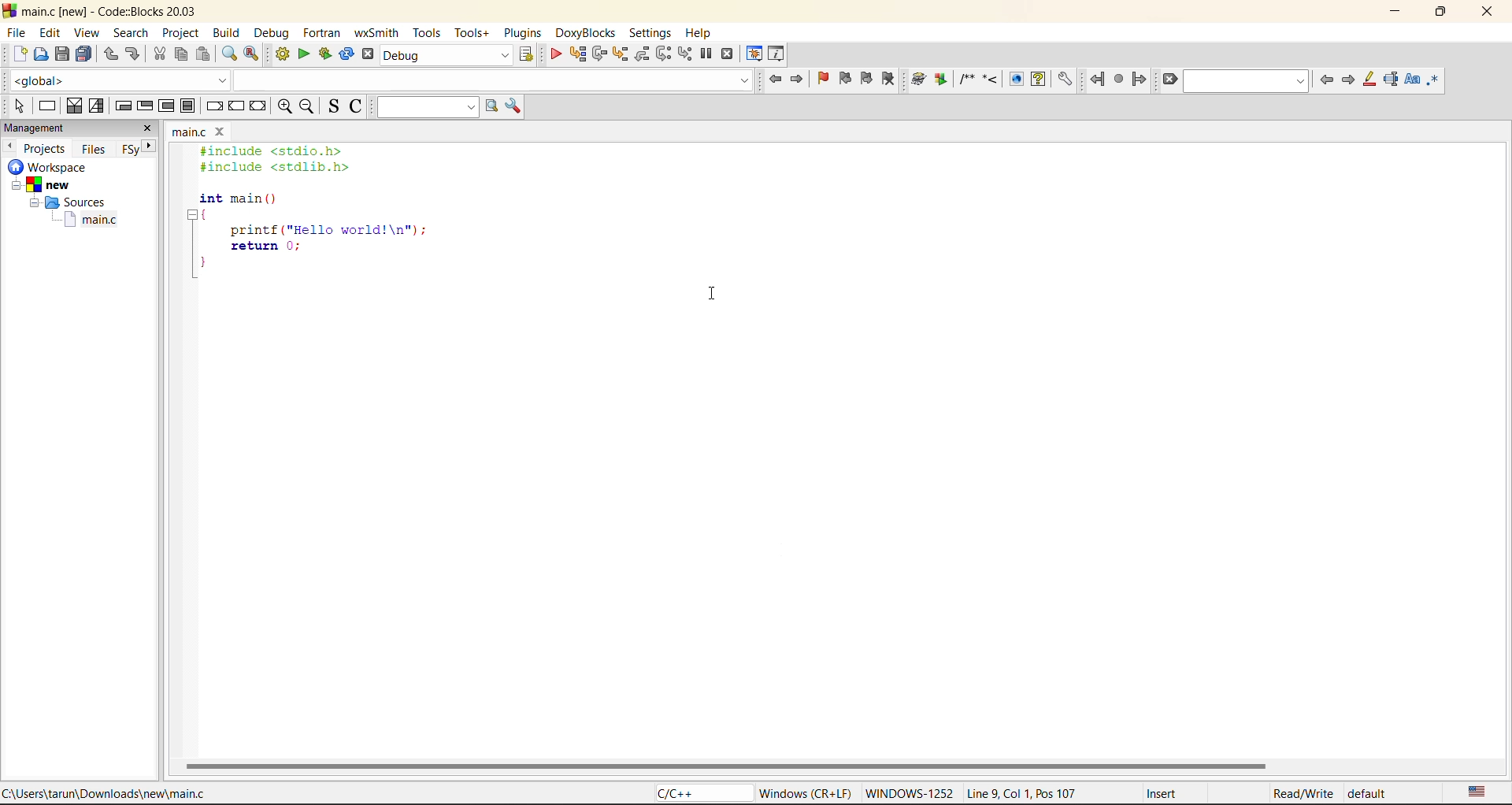  Describe the element at coordinates (806, 792) in the screenshot. I see `Windows (CR + LF)` at that location.